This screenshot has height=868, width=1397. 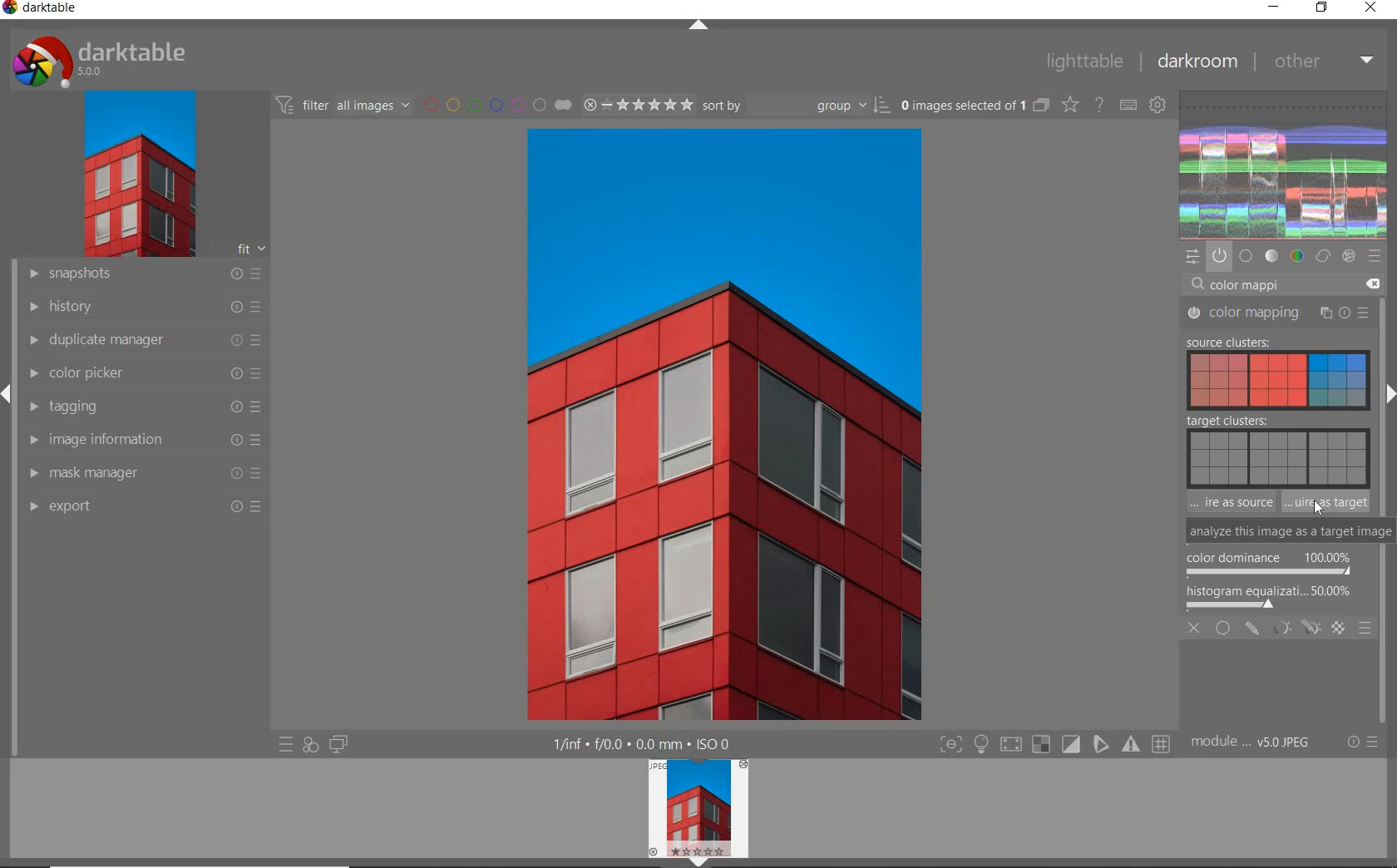 I want to click on image information, so click(x=143, y=440).